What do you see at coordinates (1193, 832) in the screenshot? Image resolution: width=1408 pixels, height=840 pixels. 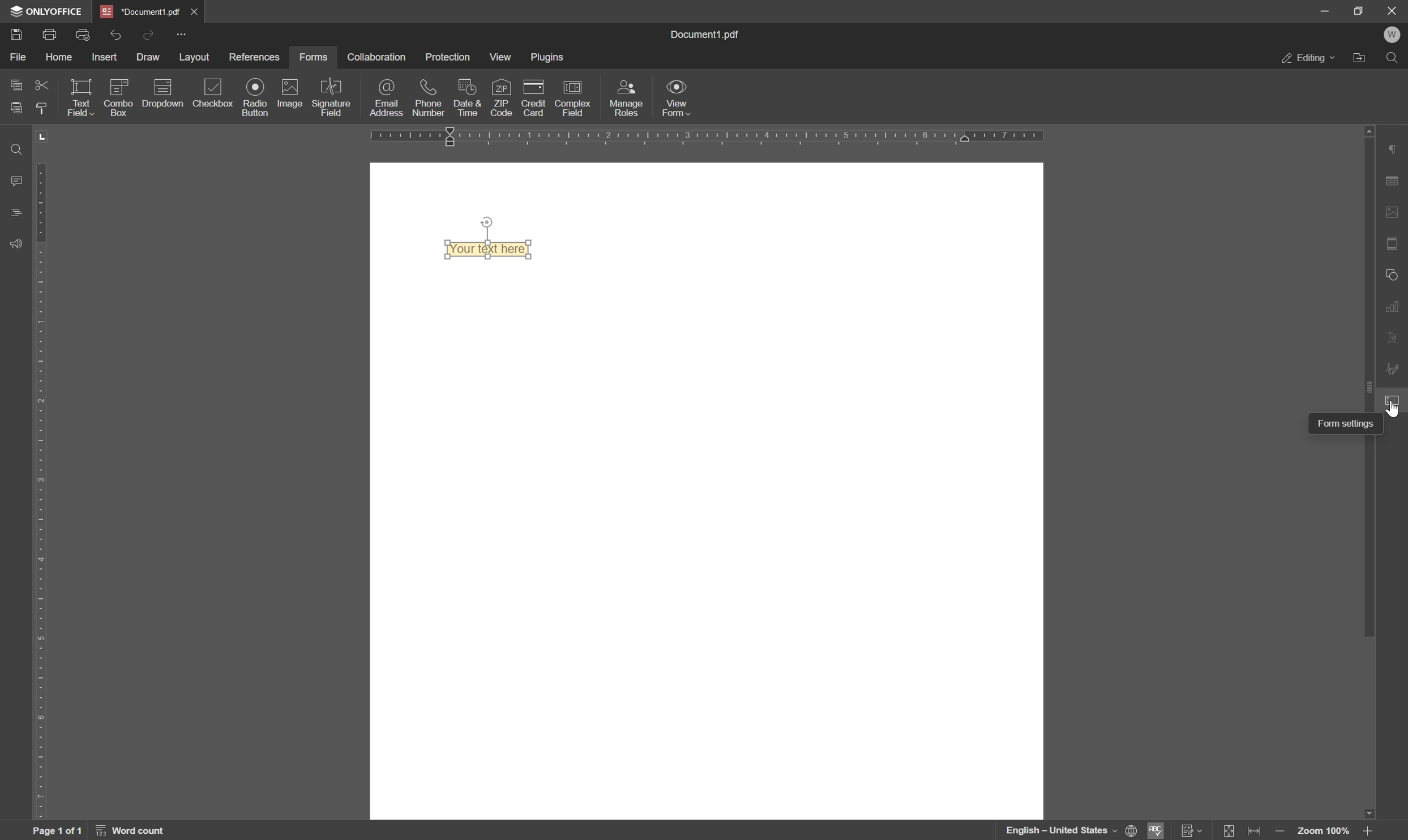 I see `Track changes` at bounding box center [1193, 832].